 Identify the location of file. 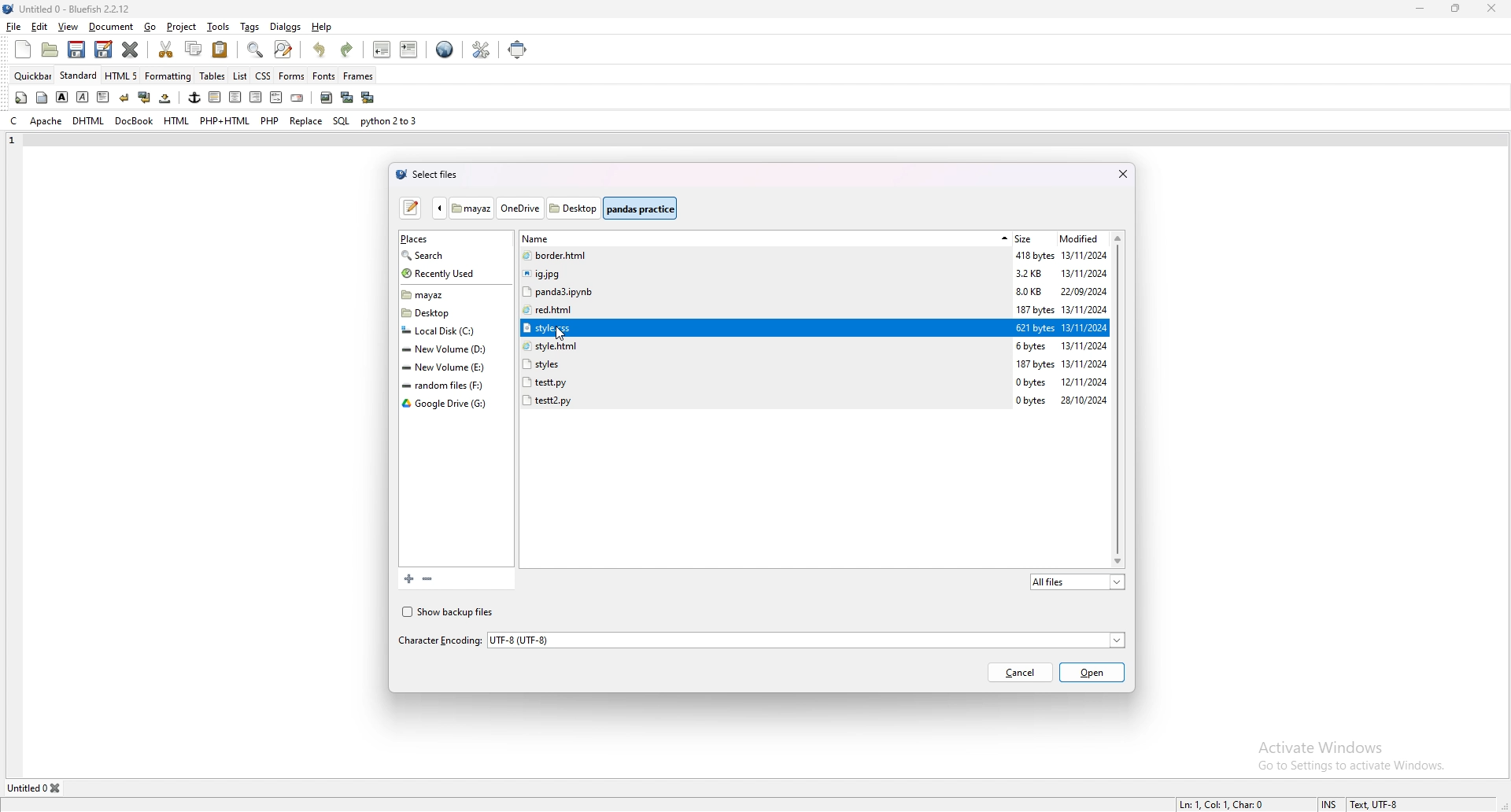
(764, 290).